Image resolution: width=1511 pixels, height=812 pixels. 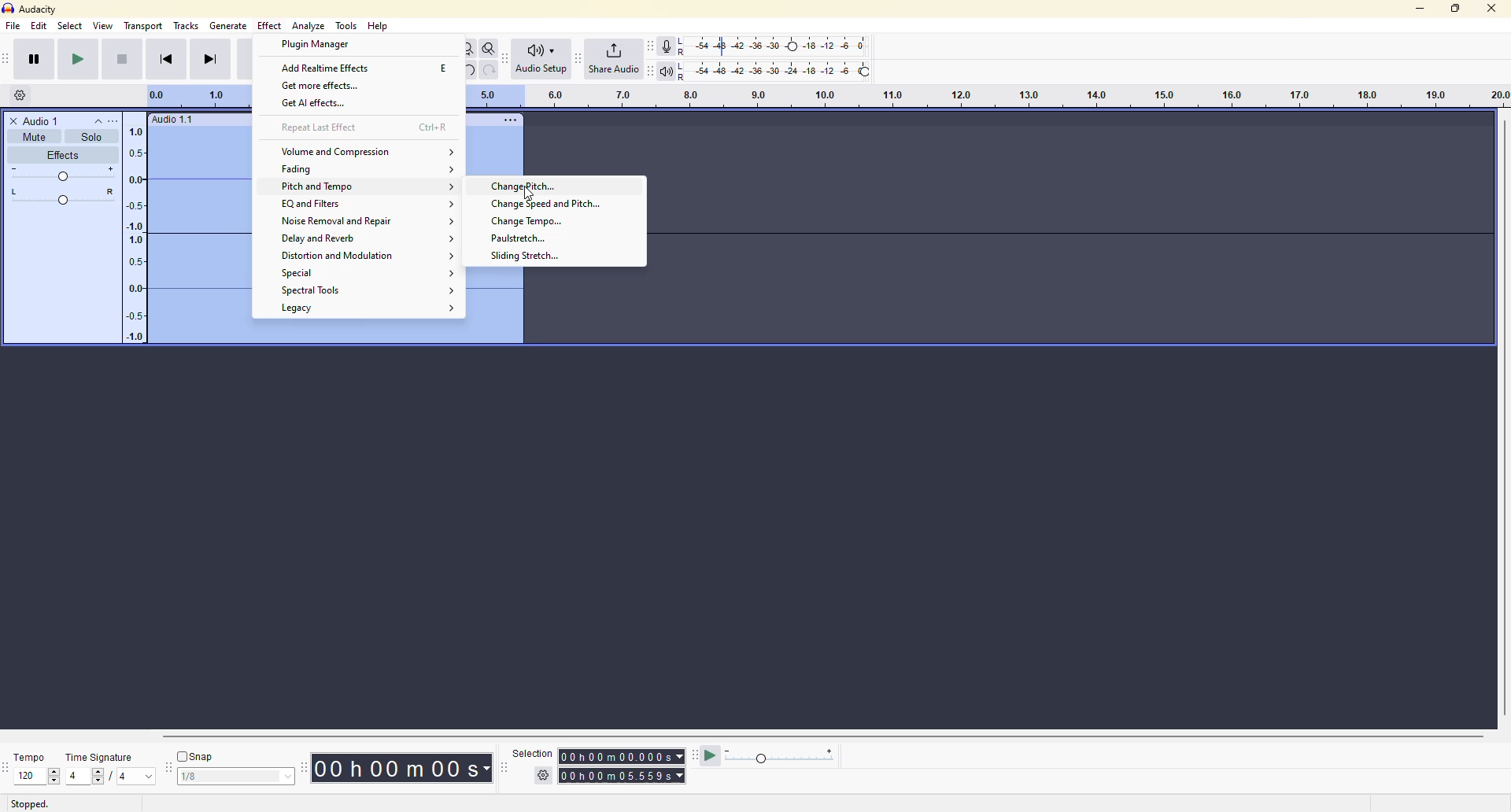 I want to click on paulstretch, so click(x=519, y=238).